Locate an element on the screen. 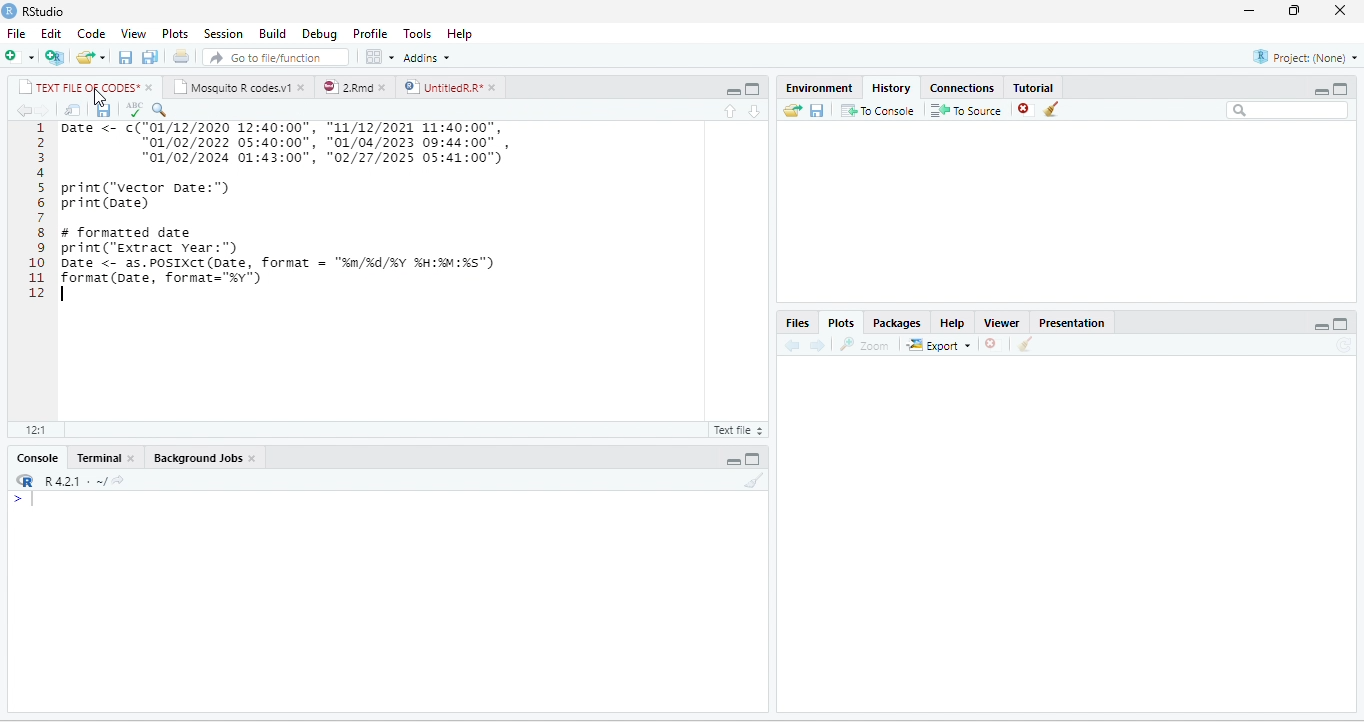 This screenshot has height=722, width=1364. TEXT FILE OF CODES is located at coordinates (78, 87).